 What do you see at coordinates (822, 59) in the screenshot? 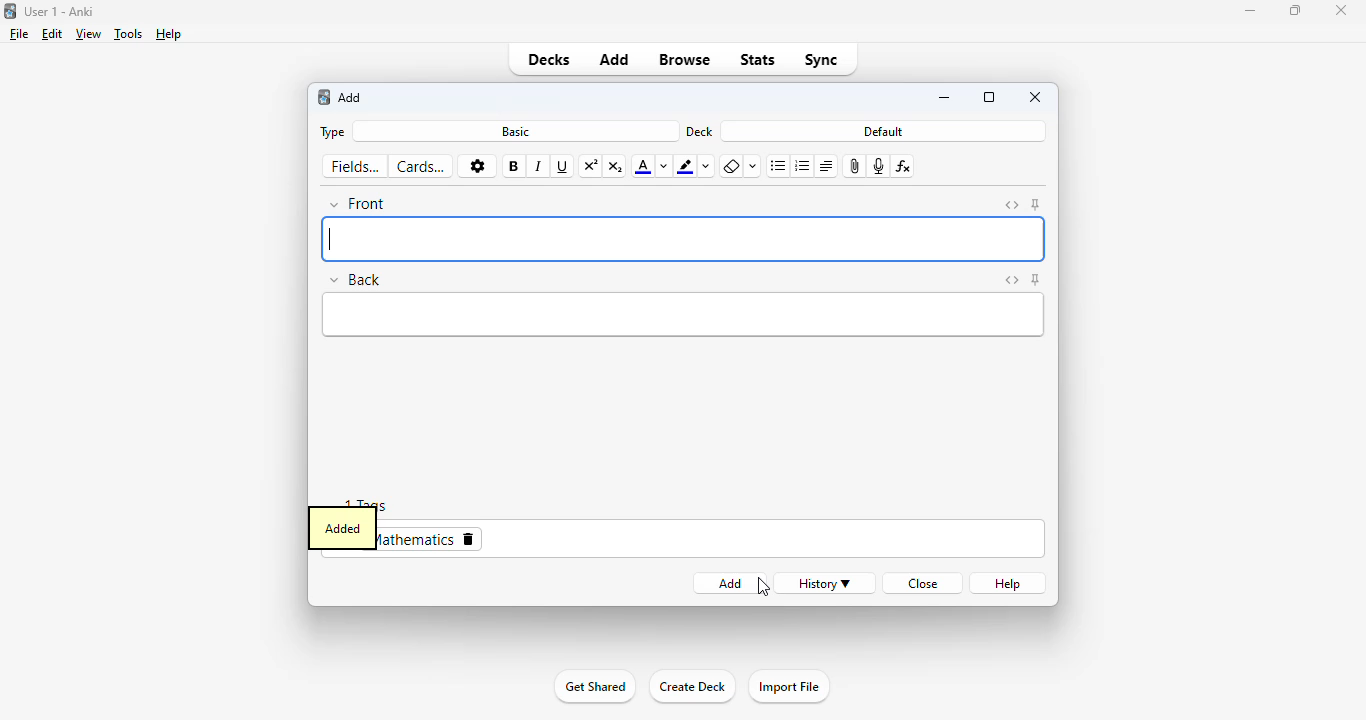
I see `sync` at bounding box center [822, 59].